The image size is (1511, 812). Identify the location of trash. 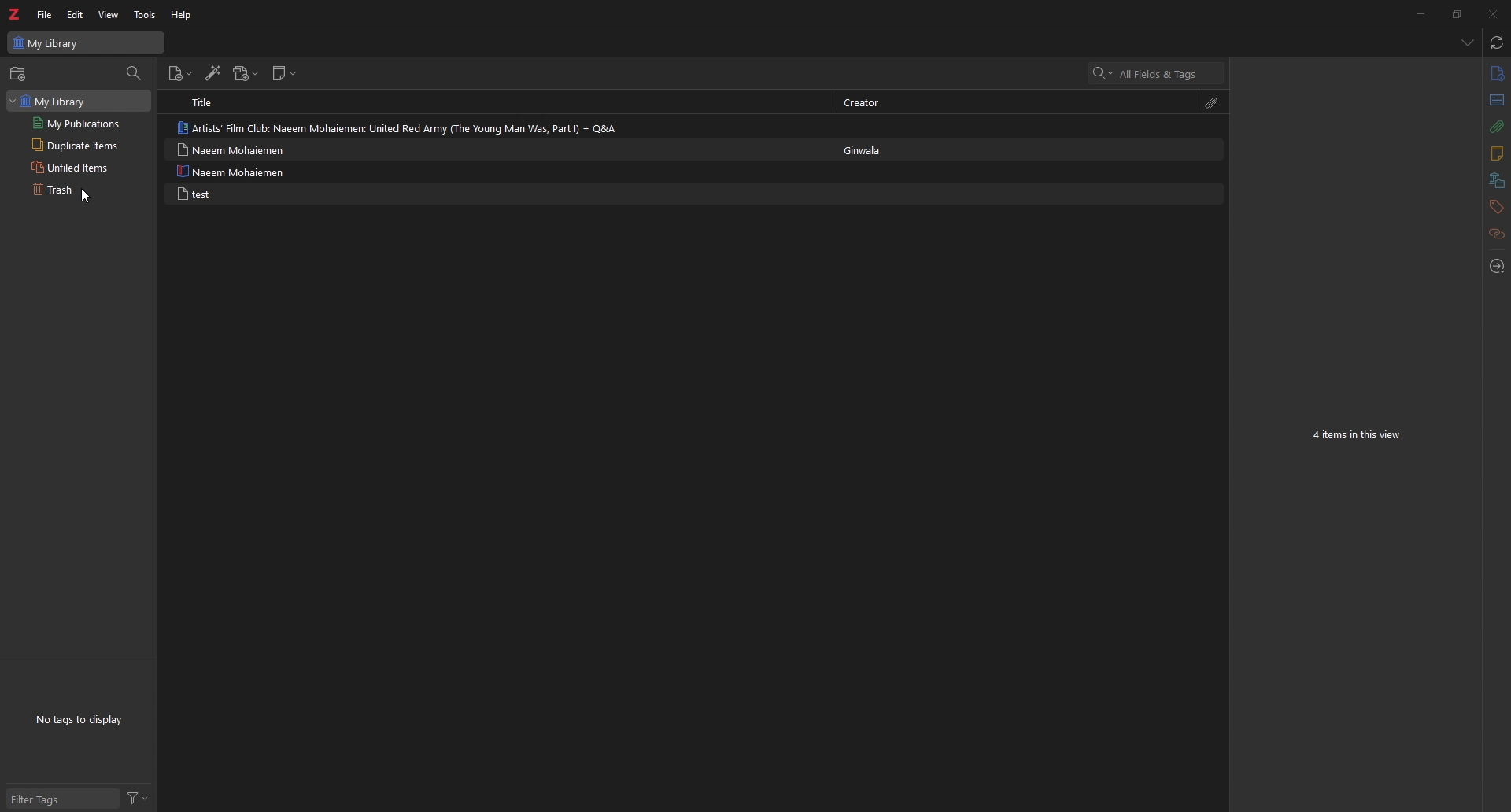
(76, 189).